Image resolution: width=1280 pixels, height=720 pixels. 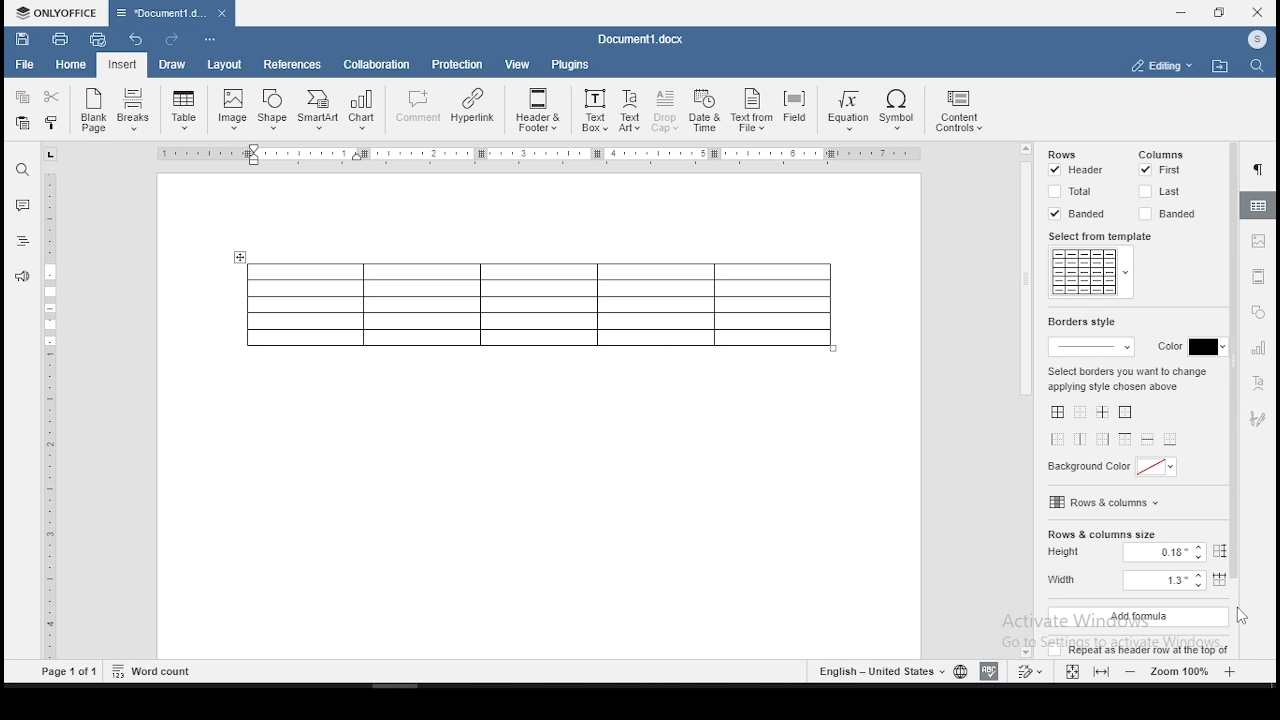 What do you see at coordinates (1105, 504) in the screenshot?
I see `rows and columns` at bounding box center [1105, 504].